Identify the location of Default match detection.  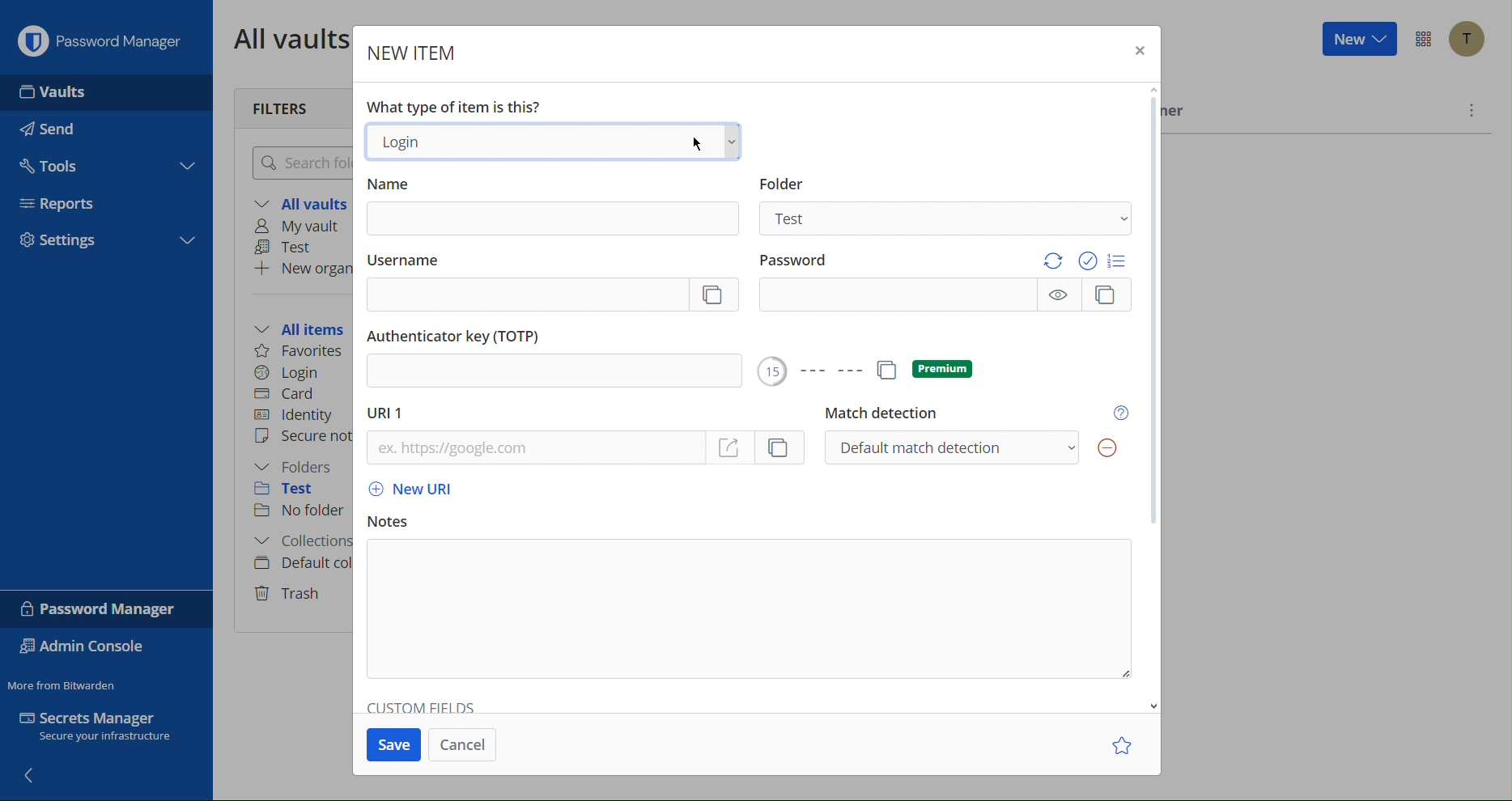
(979, 447).